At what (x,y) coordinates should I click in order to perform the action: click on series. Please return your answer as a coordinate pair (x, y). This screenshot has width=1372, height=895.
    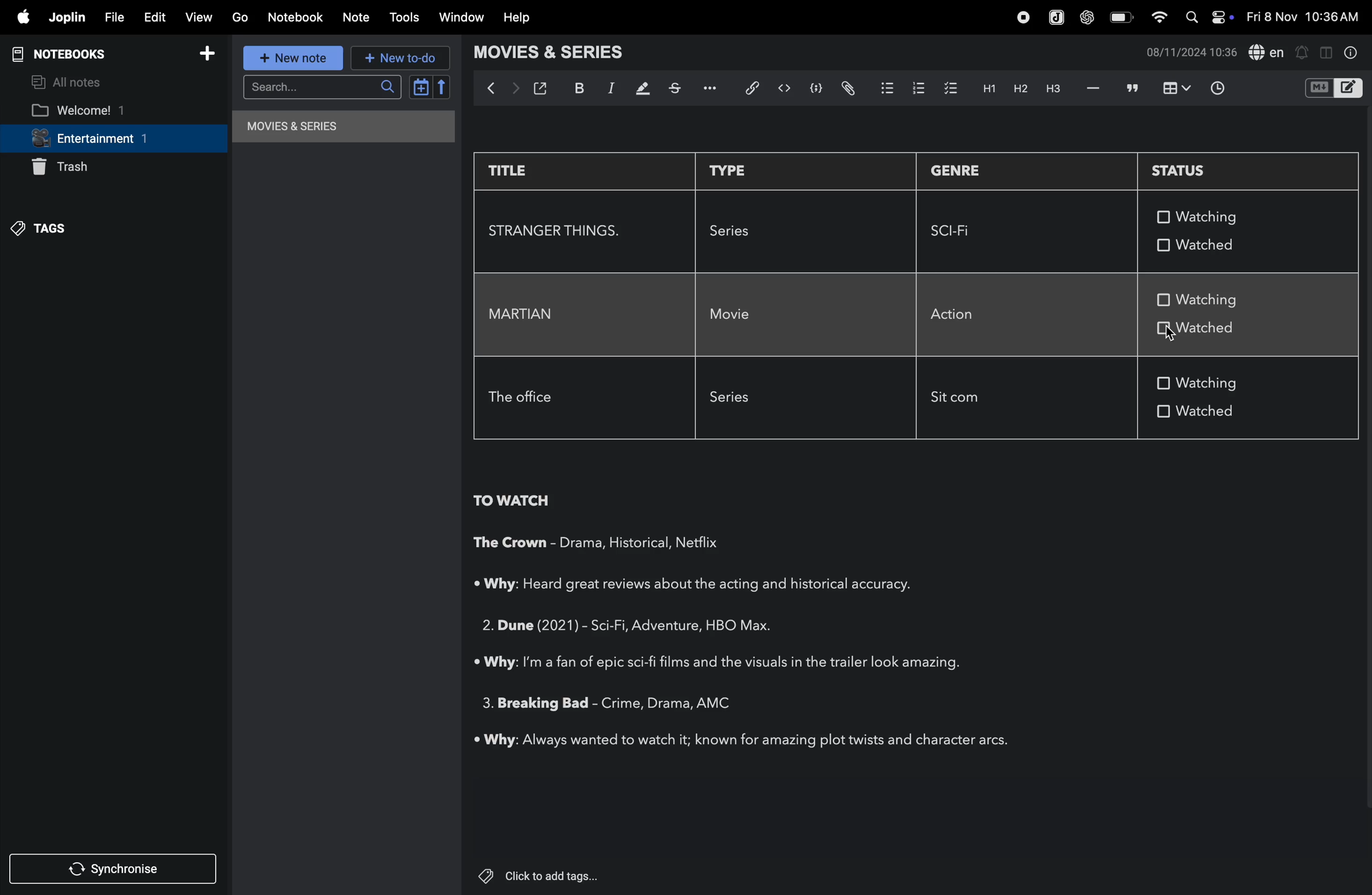
    Looking at the image, I should click on (738, 400).